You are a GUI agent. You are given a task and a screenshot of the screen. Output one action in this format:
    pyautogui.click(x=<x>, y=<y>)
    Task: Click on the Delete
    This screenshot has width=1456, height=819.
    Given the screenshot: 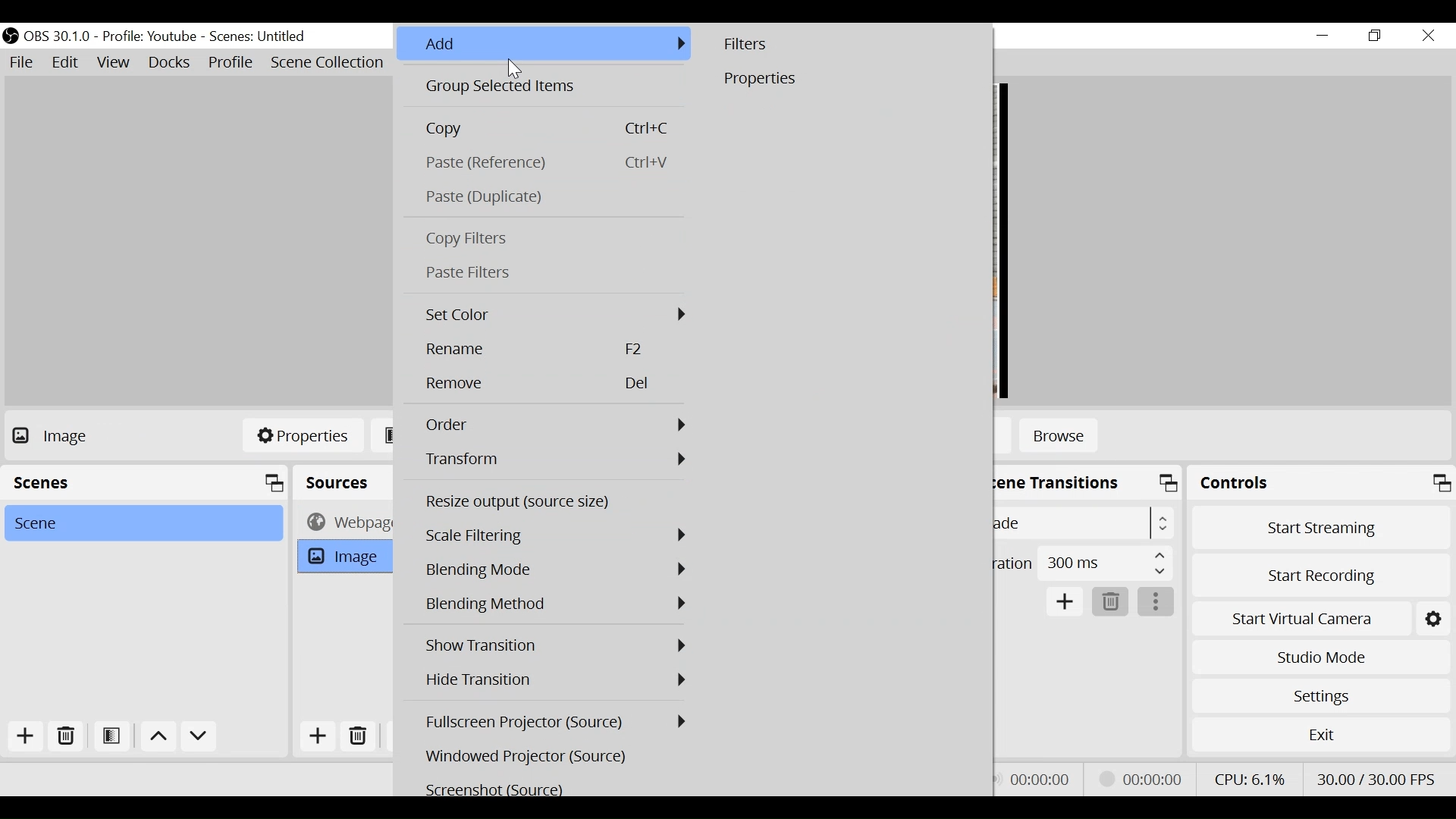 What is the action you would take?
    pyautogui.click(x=1109, y=602)
    